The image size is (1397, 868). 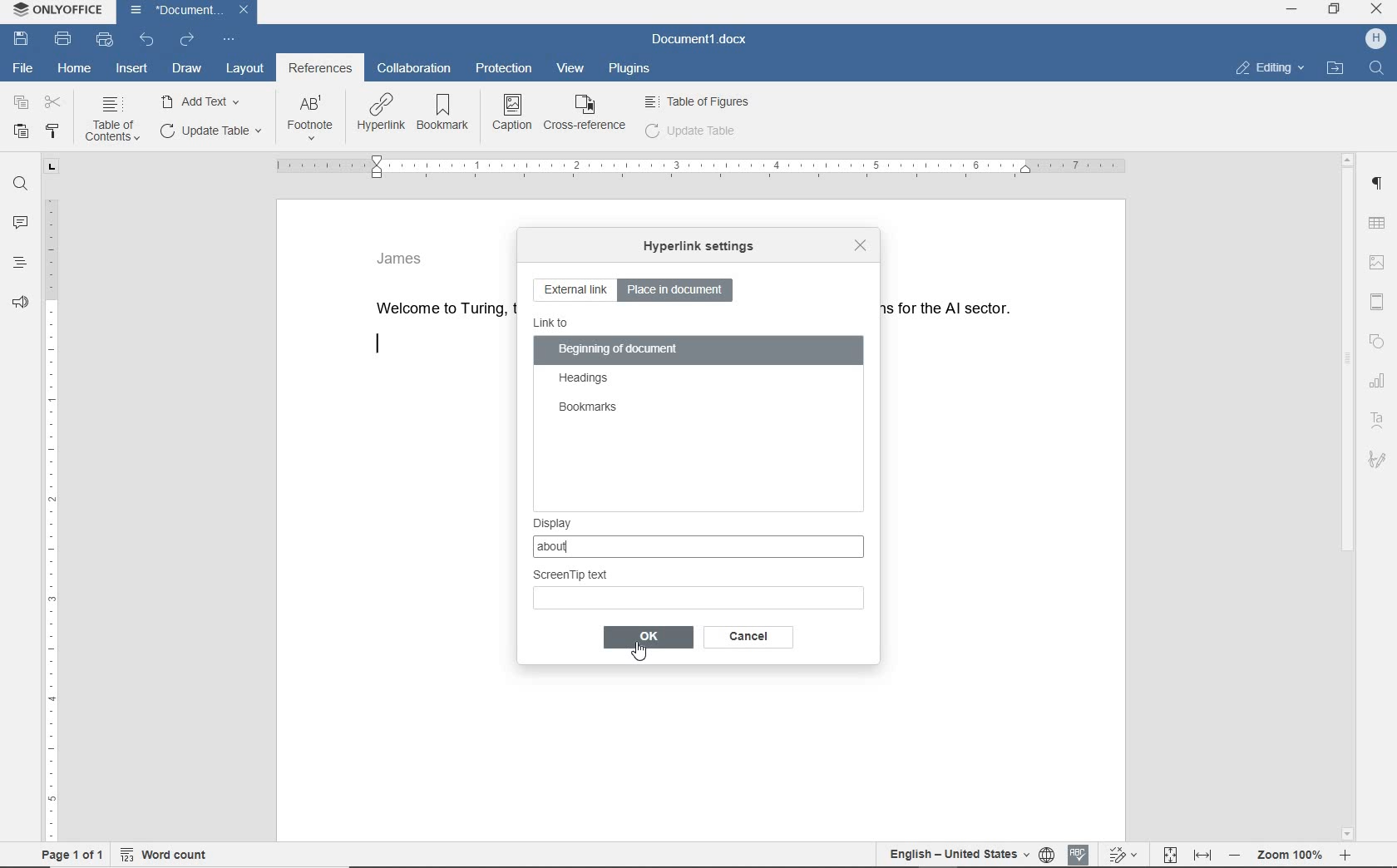 What do you see at coordinates (64, 40) in the screenshot?
I see `print file` at bounding box center [64, 40].